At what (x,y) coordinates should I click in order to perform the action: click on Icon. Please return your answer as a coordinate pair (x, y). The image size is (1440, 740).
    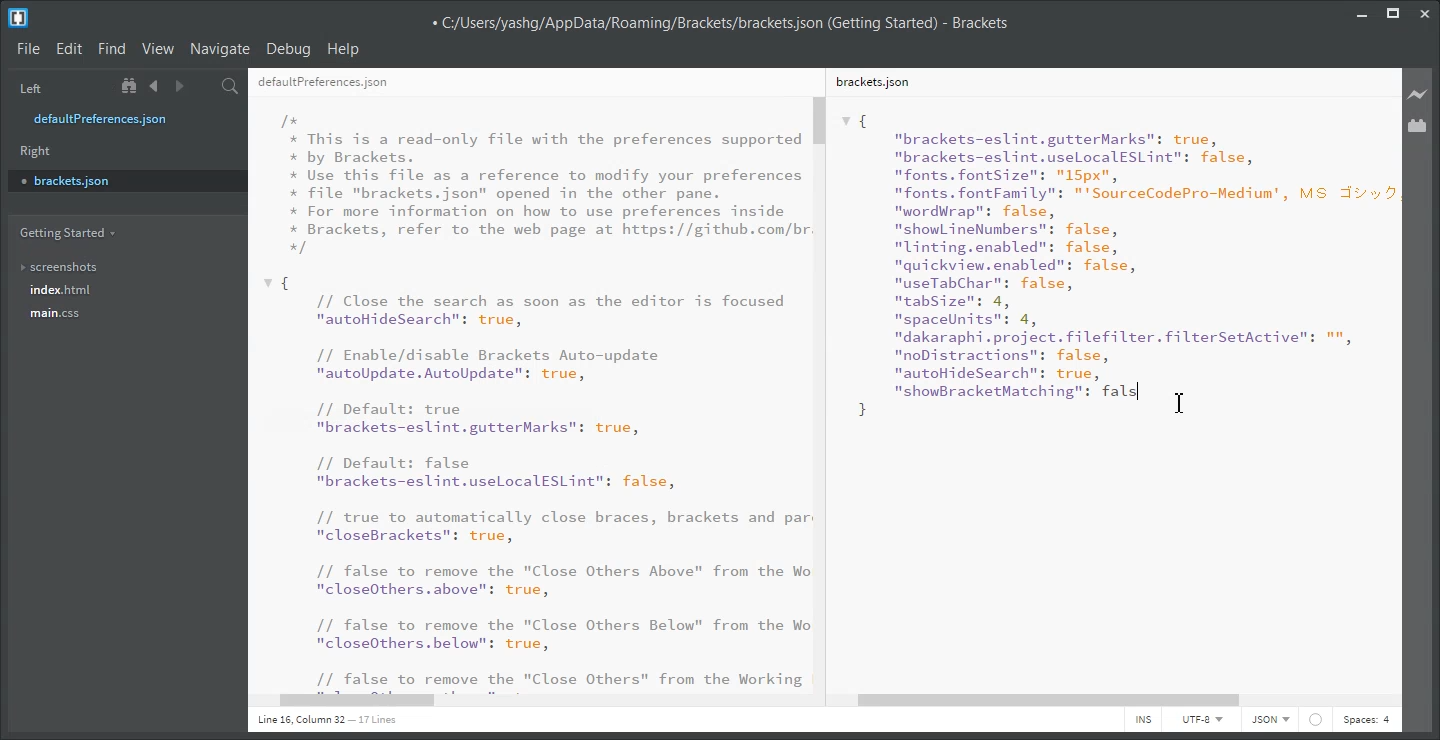
    Looking at the image, I should click on (1316, 720).